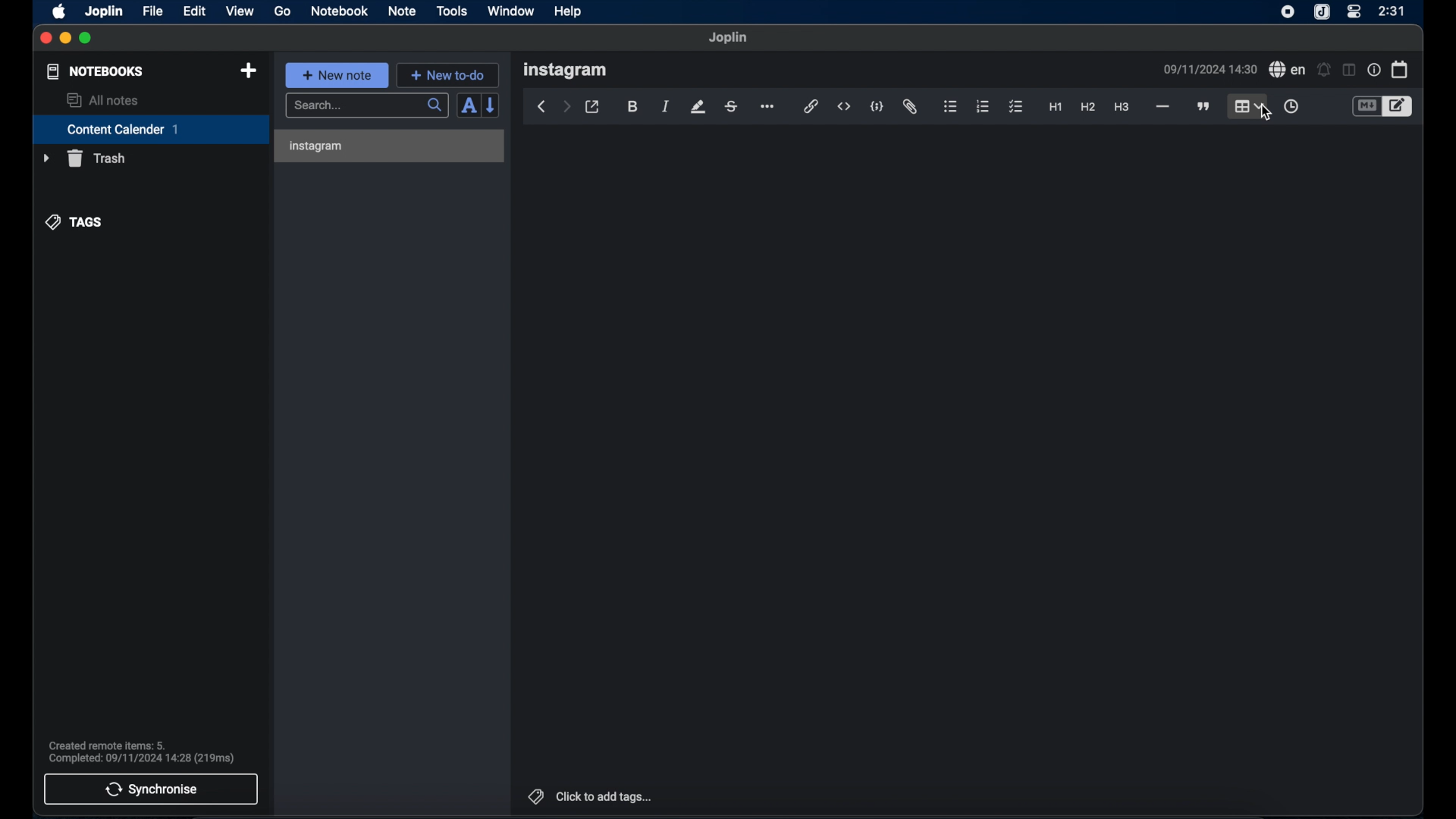 This screenshot has height=819, width=1456. Describe the element at coordinates (591, 796) in the screenshot. I see `click to add tags` at that location.